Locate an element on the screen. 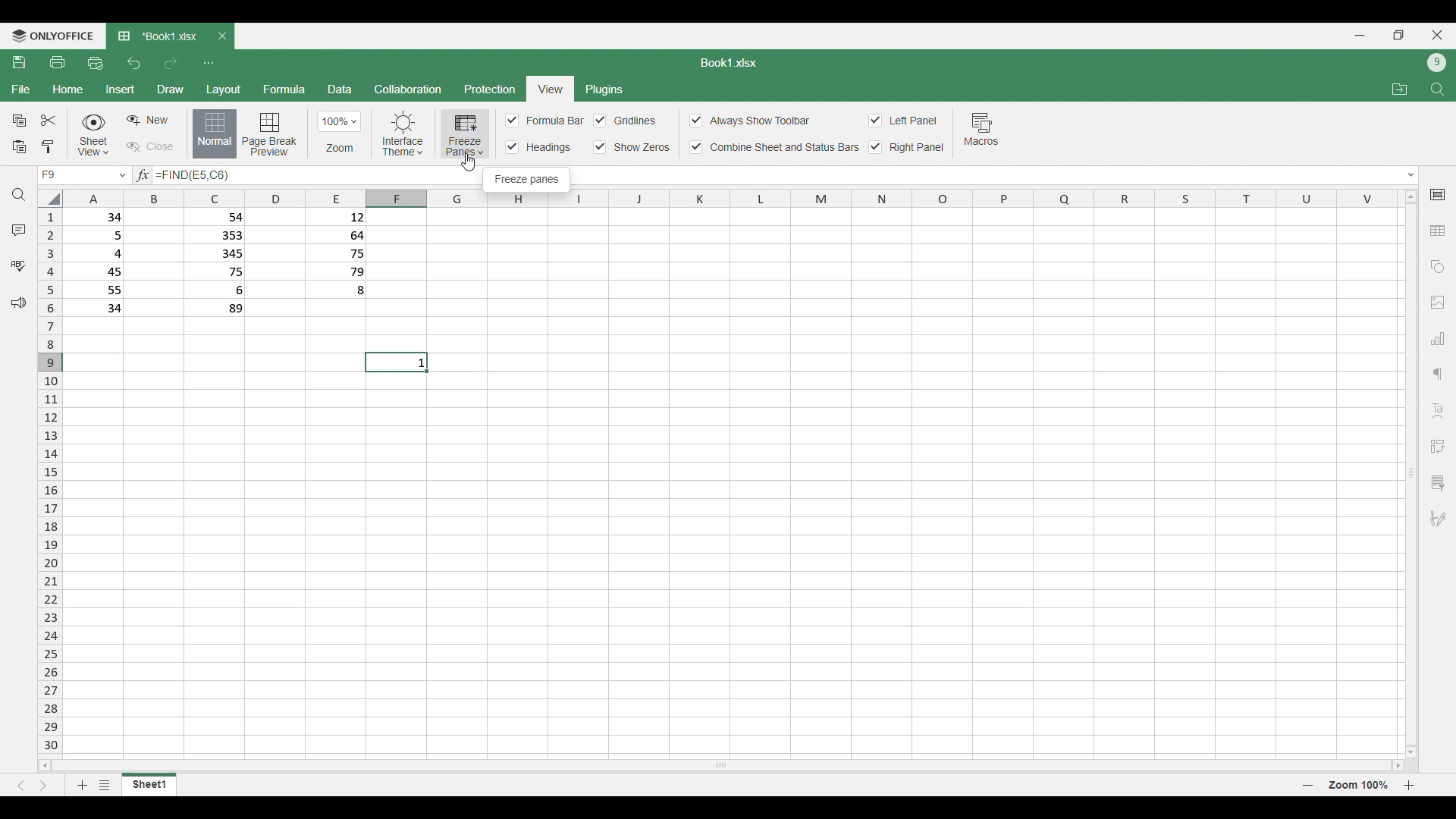 Image resolution: width=1456 pixels, height=819 pixels. move down is located at coordinates (1412, 752).